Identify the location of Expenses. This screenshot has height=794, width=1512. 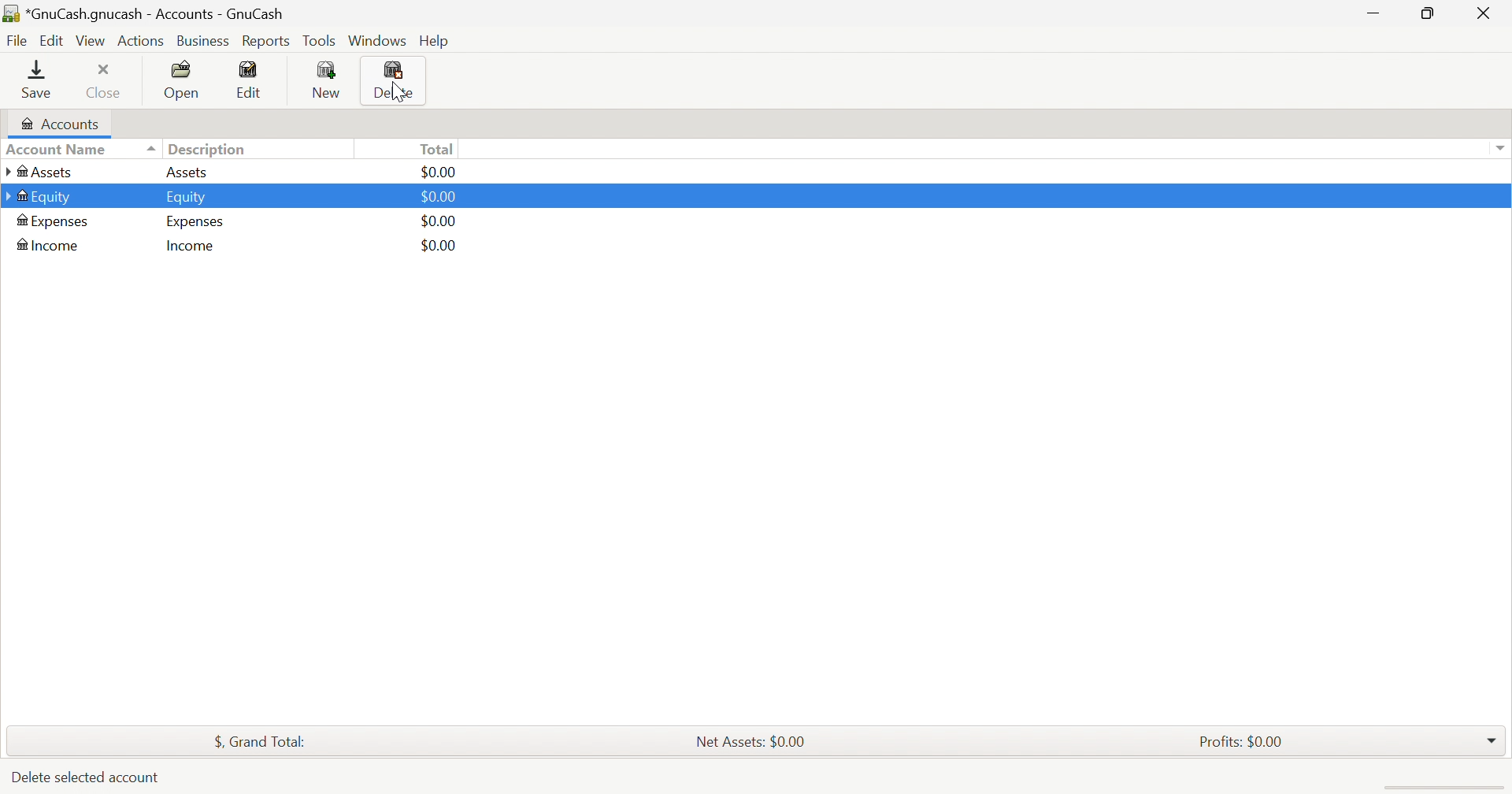
(59, 221).